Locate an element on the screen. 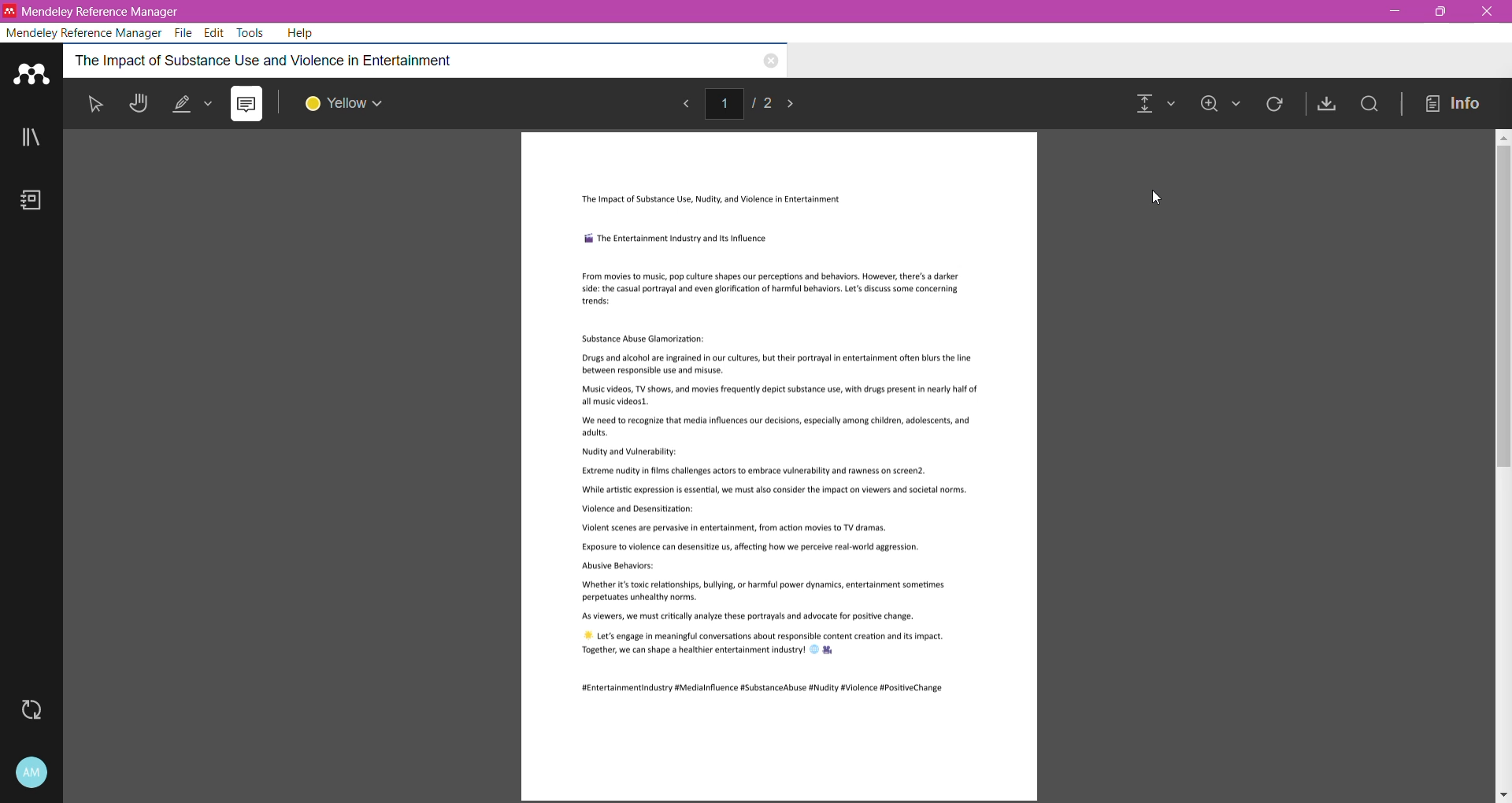 The width and height of the screenshot is (1512, 803). Set Page View Mode is located at coordinates (1154, 106).